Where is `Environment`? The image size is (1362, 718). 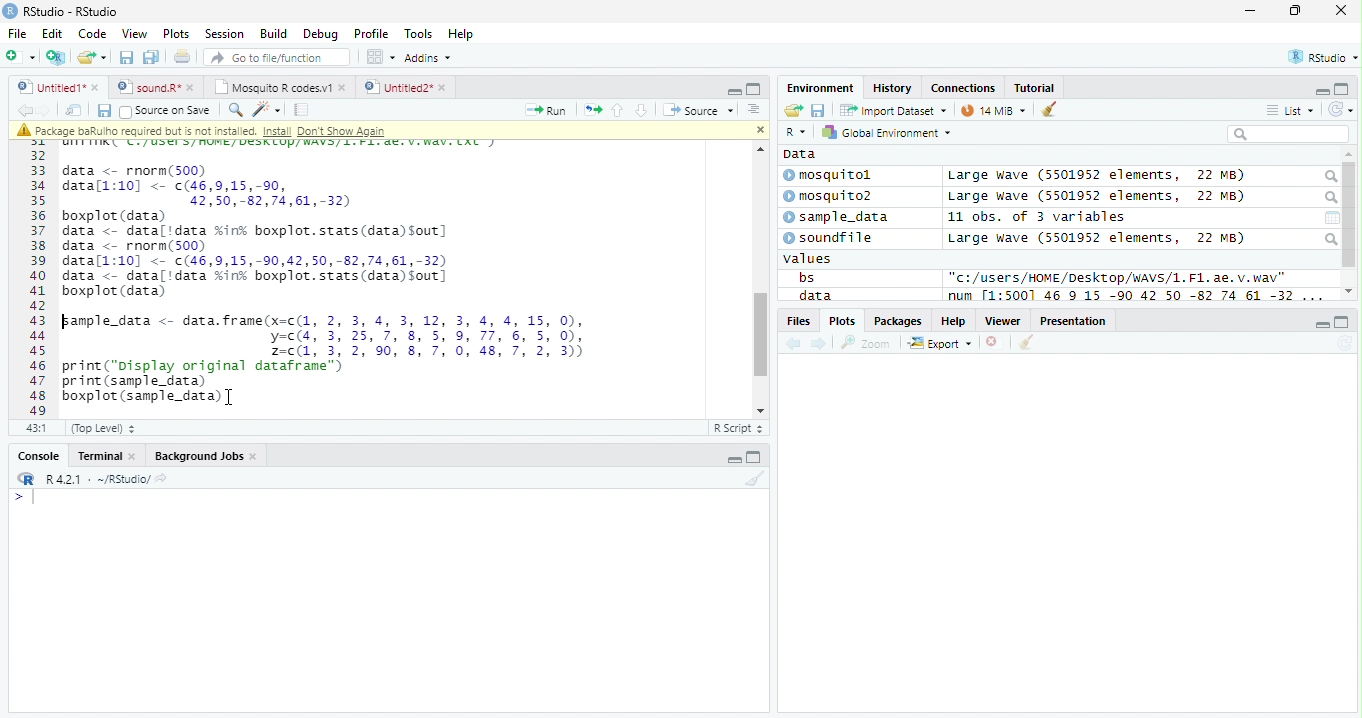
Environment is located at coordinates (821, 88).